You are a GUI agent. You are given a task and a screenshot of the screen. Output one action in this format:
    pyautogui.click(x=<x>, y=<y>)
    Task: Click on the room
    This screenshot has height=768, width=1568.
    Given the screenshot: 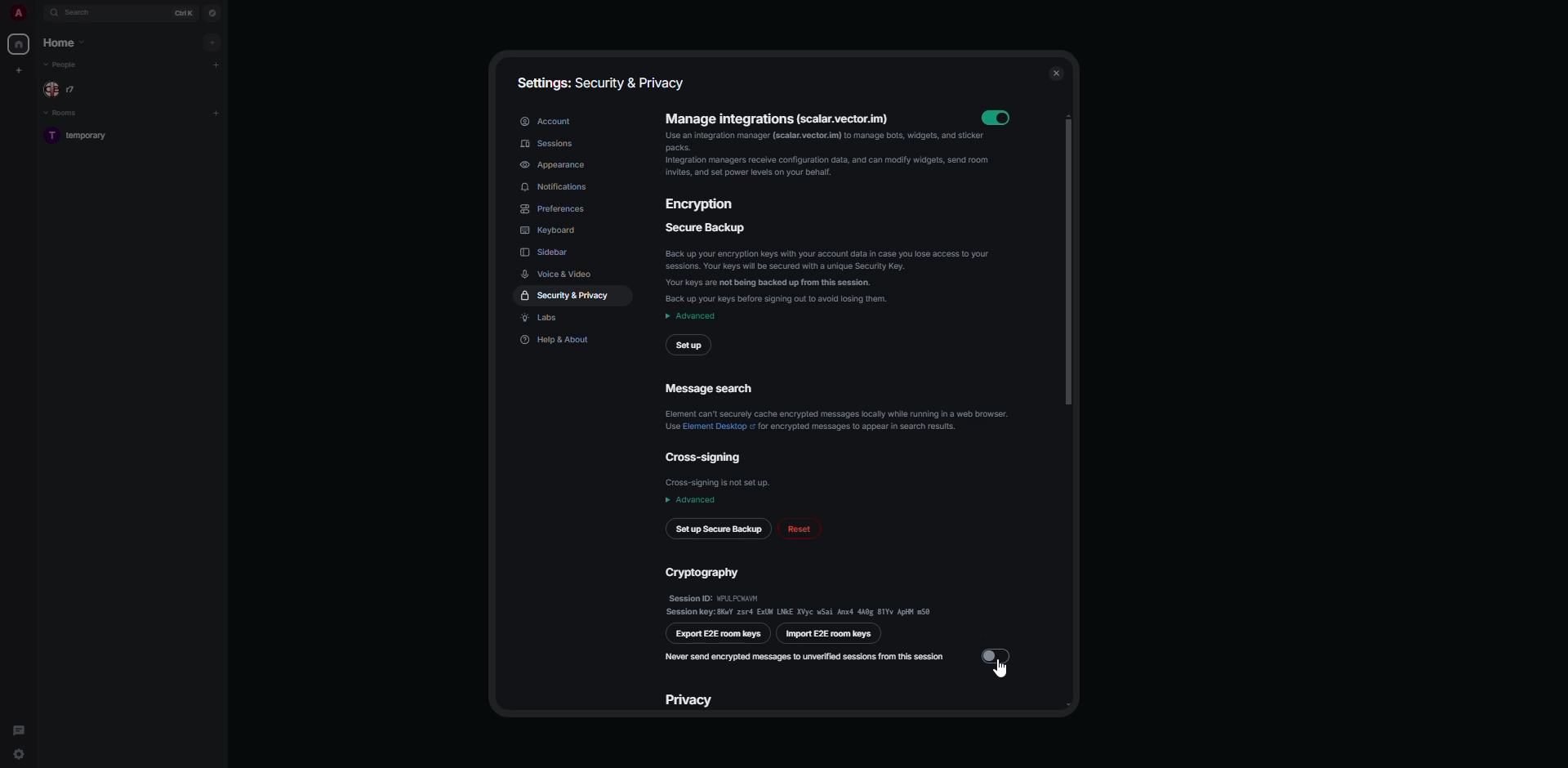 What is the action you would take?
    pyautogui.click(x=81, y=136)
    